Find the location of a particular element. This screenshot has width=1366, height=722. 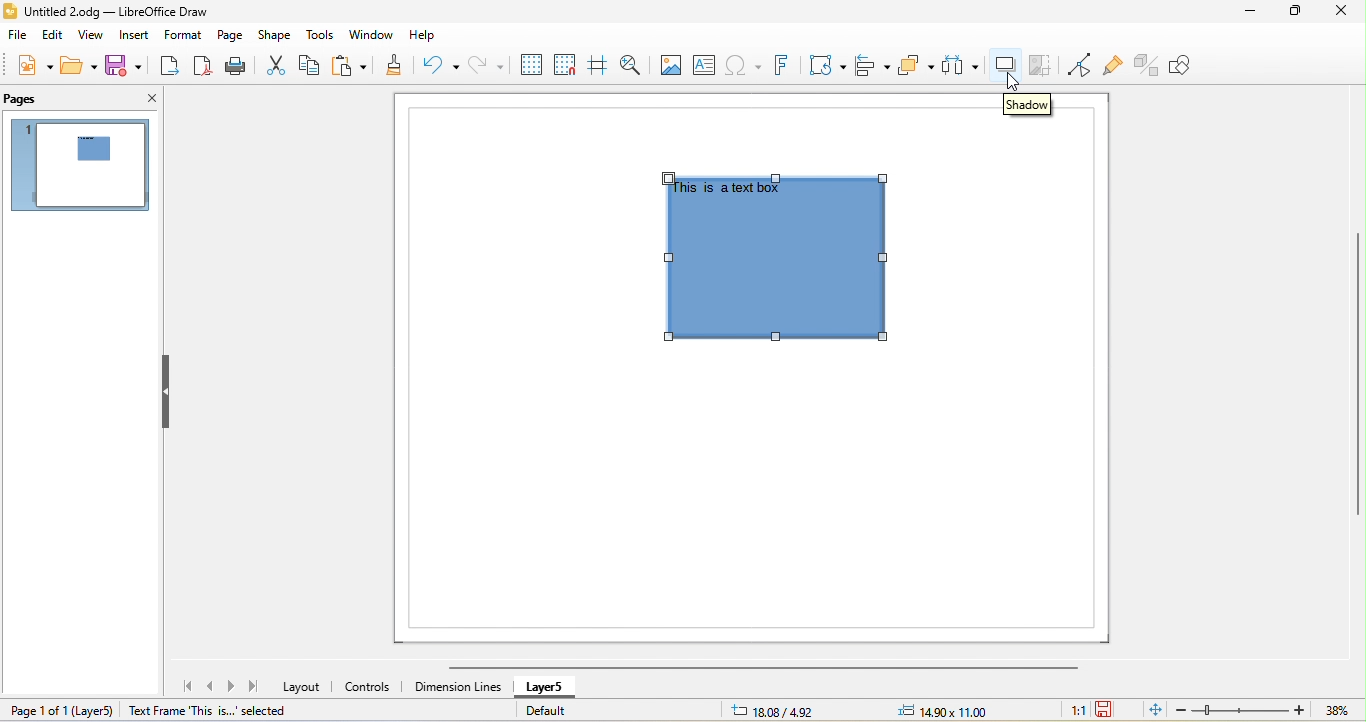

save is located at coordinates (127, 65).